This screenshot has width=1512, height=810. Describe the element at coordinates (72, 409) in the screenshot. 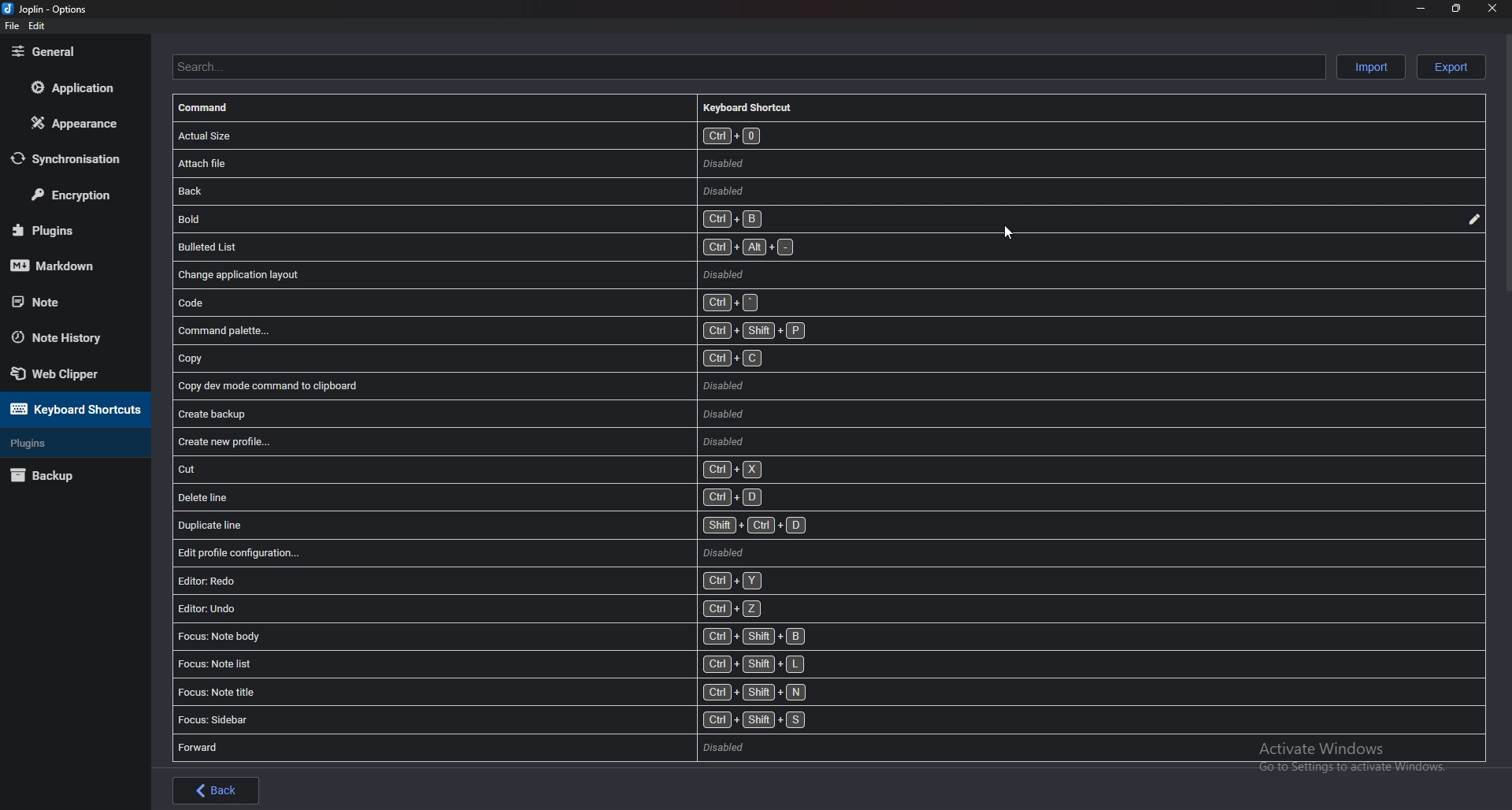

I see `Keyboard shortcuts` at that location.